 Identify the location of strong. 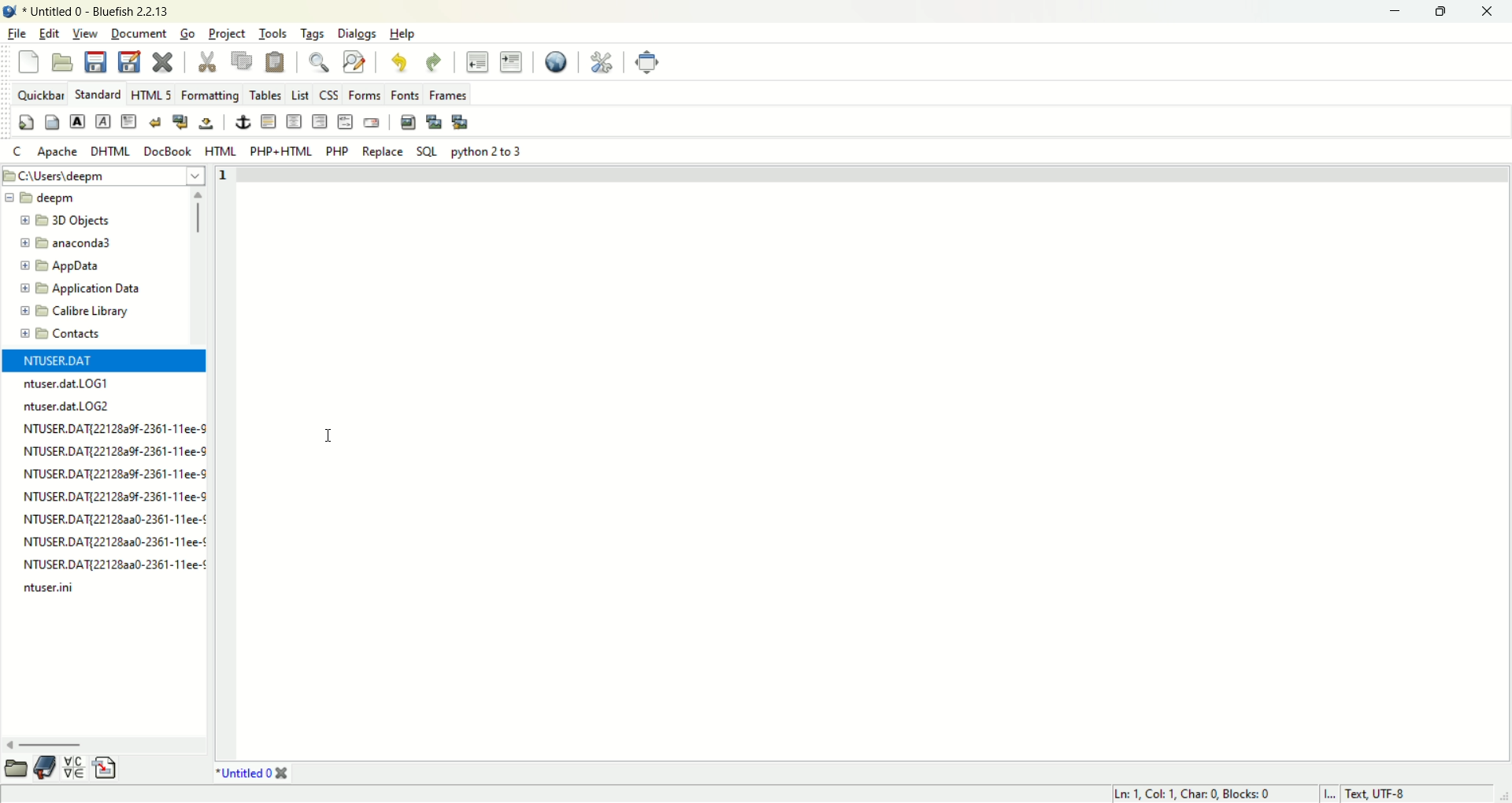
(76, 120).